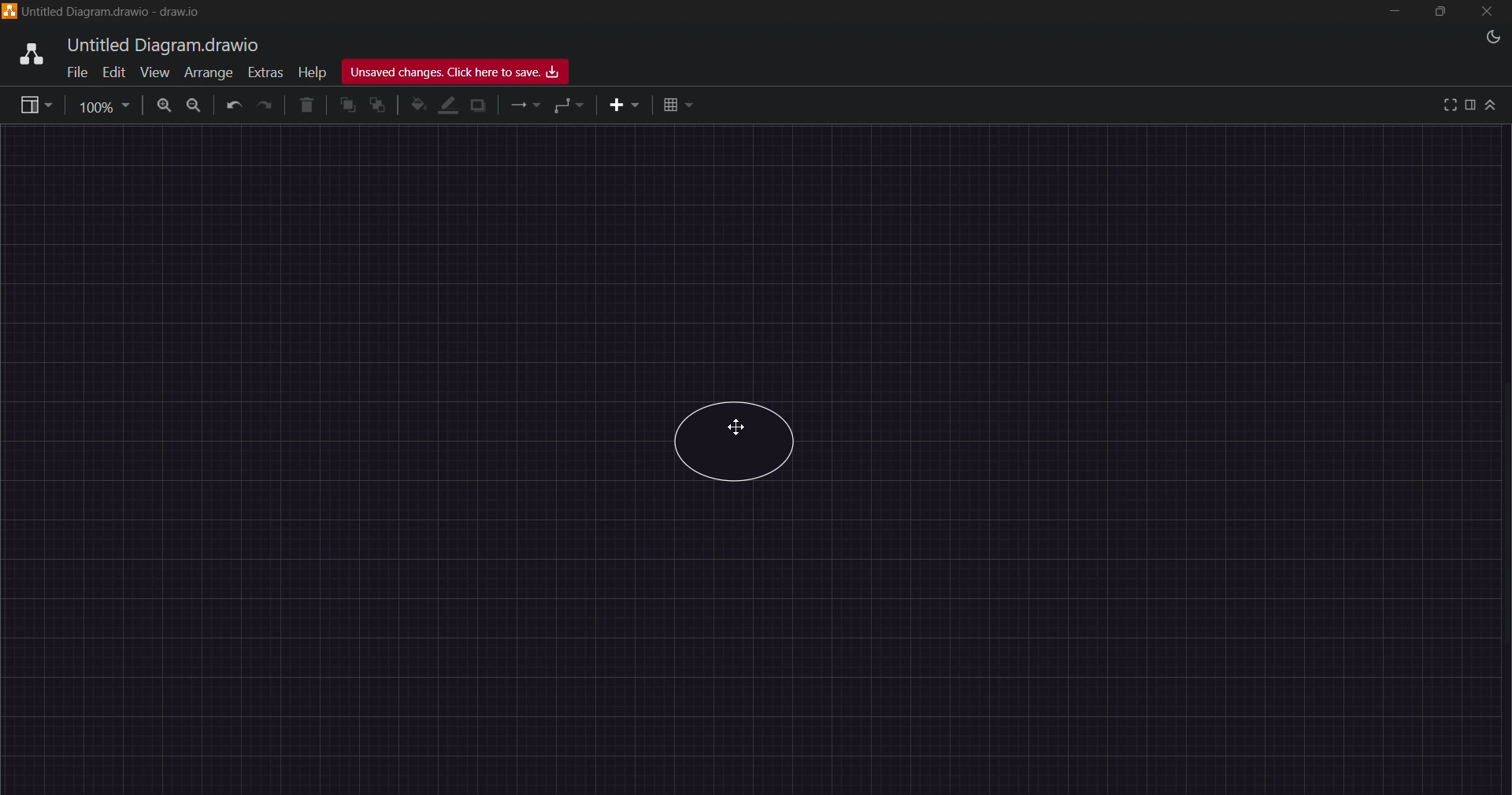 The width and height of the screenshot is (1512, 795). I want to click on line color, so click(445, 105).